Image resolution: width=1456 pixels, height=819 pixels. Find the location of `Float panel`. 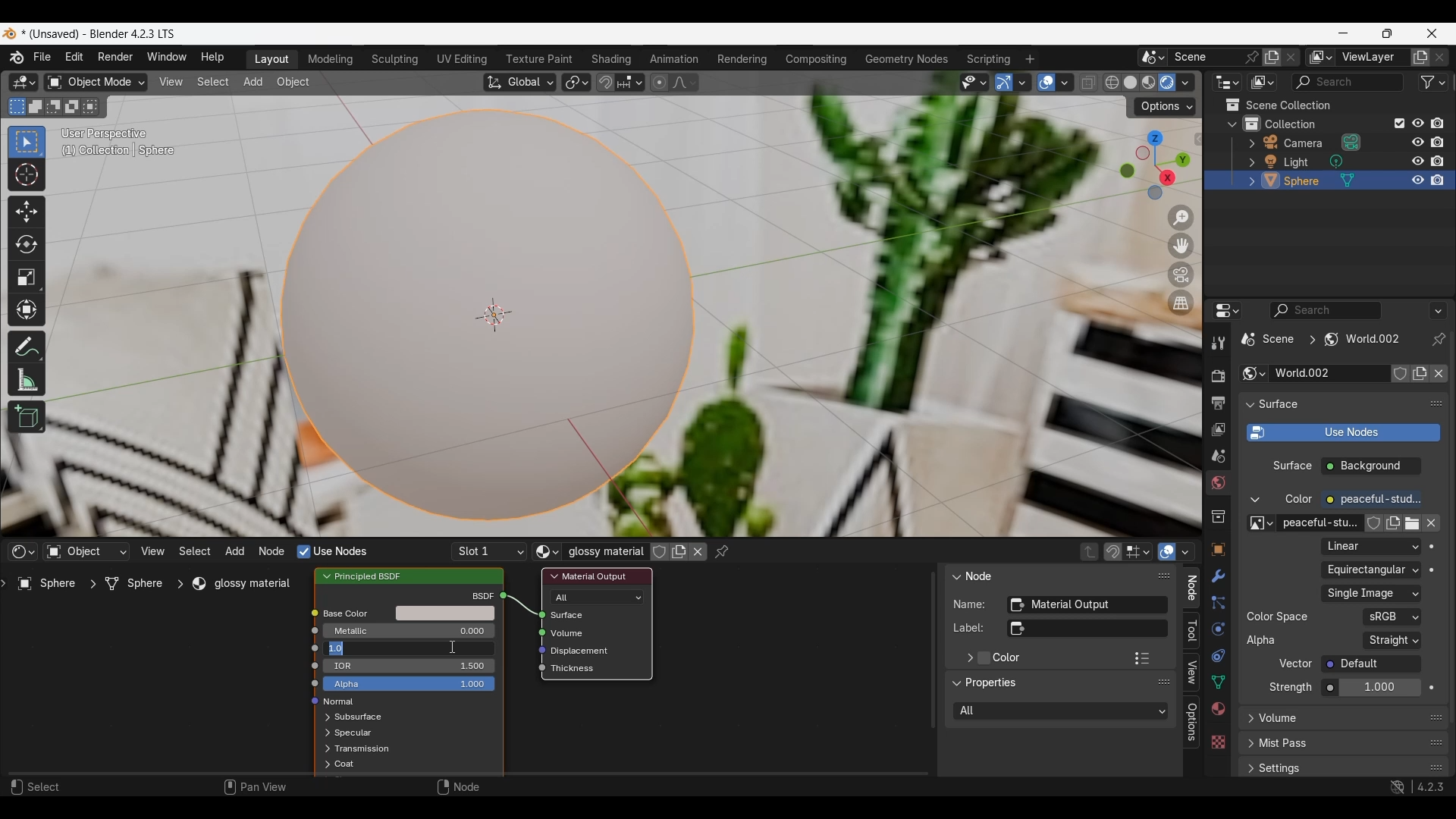

Float panel is located at coordinates (1164, 576).